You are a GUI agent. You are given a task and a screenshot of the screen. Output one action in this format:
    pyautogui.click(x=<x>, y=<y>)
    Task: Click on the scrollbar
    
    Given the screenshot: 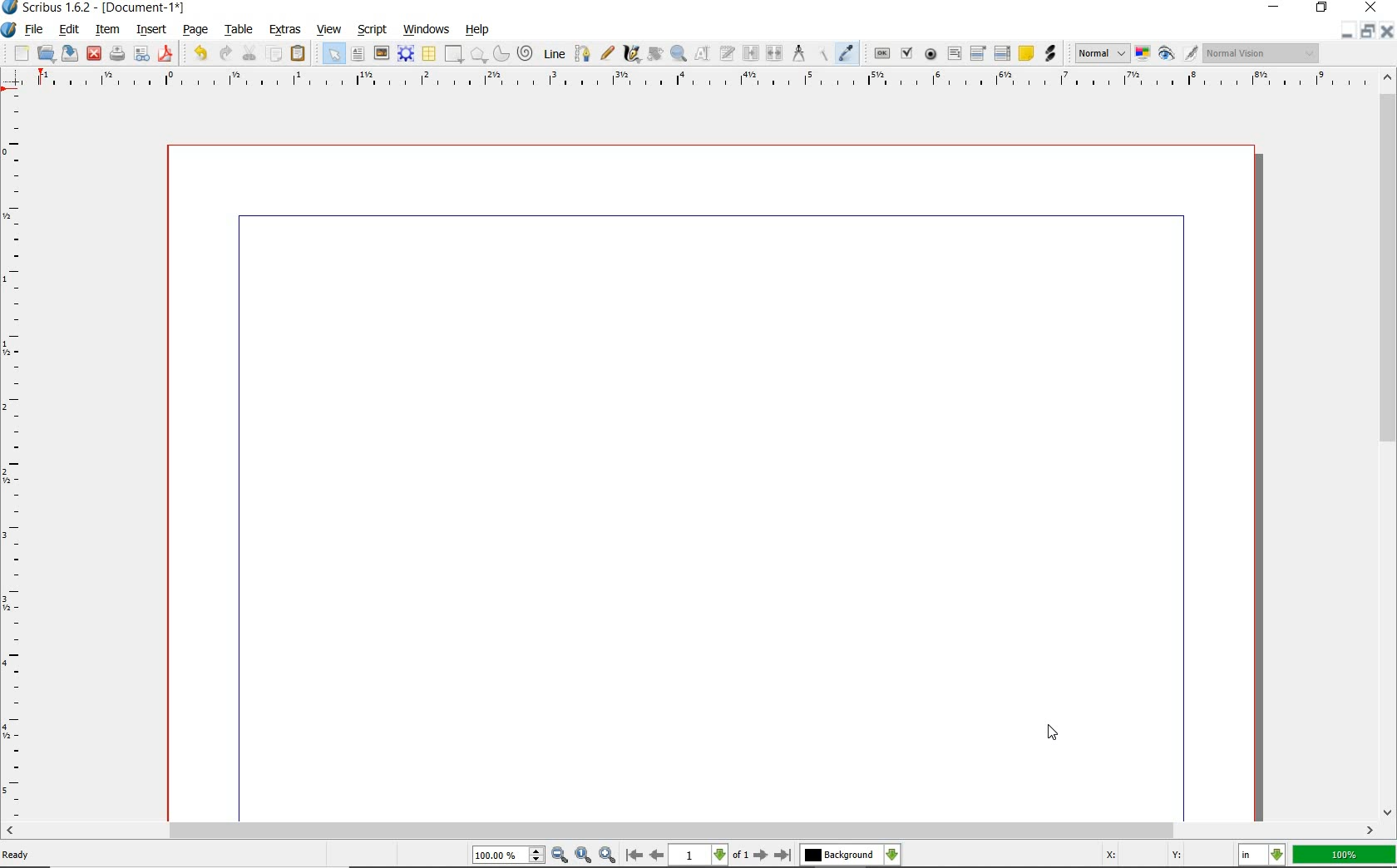 What is the action you would take?
    pyautogui.click(x=1389, y=445)
    